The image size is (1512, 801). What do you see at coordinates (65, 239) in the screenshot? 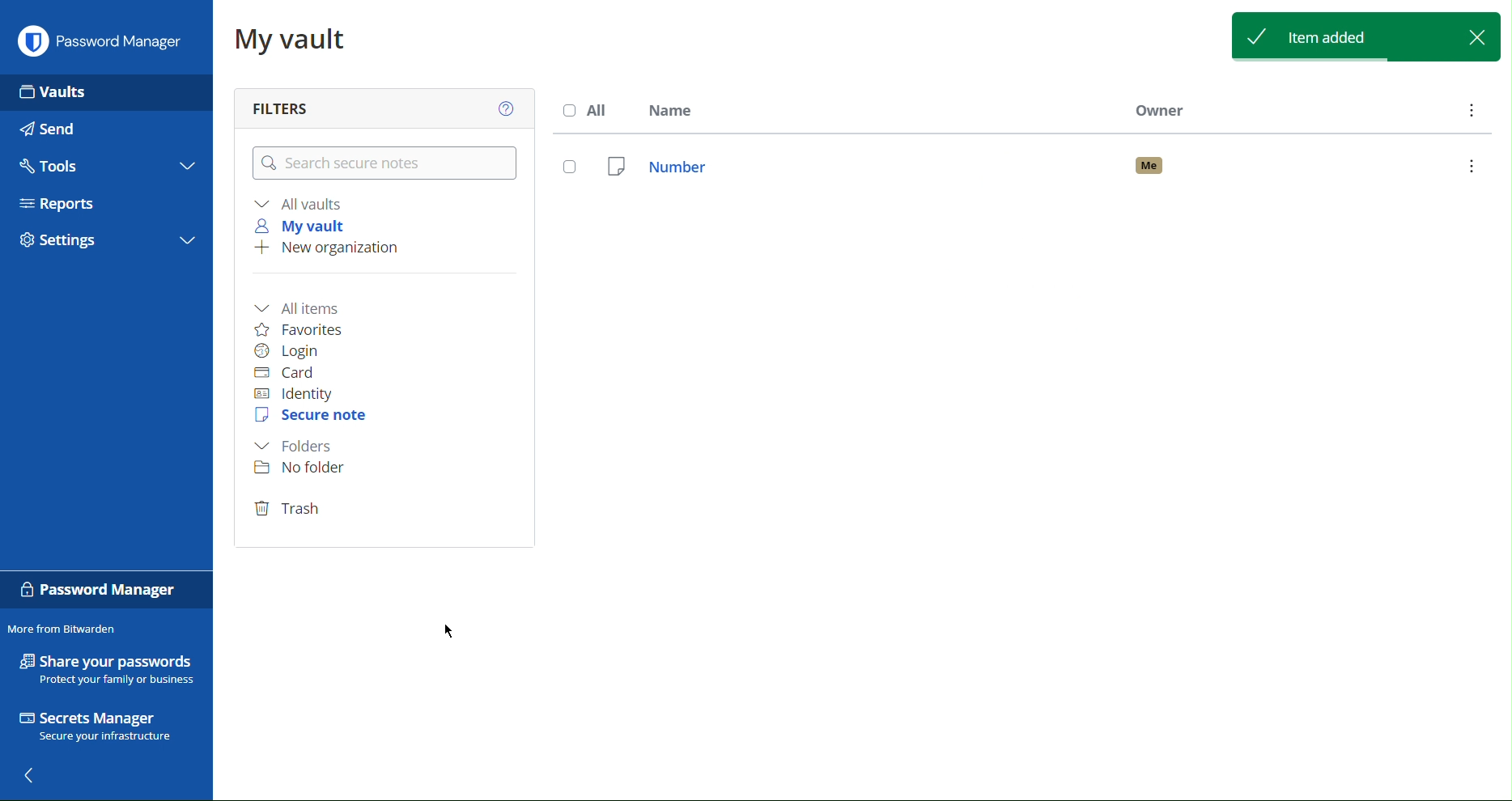
I see `Settings` at bounding box center [65, 239].